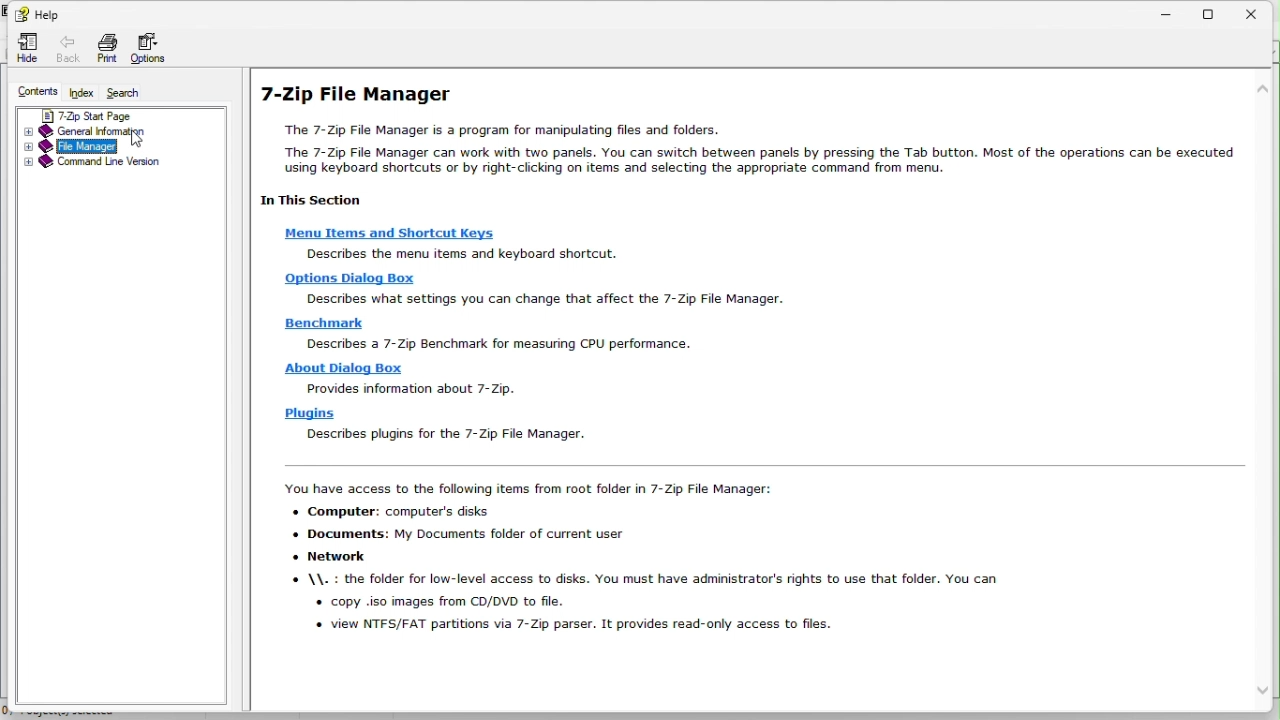  I want to click on Print, so click(107, 49).